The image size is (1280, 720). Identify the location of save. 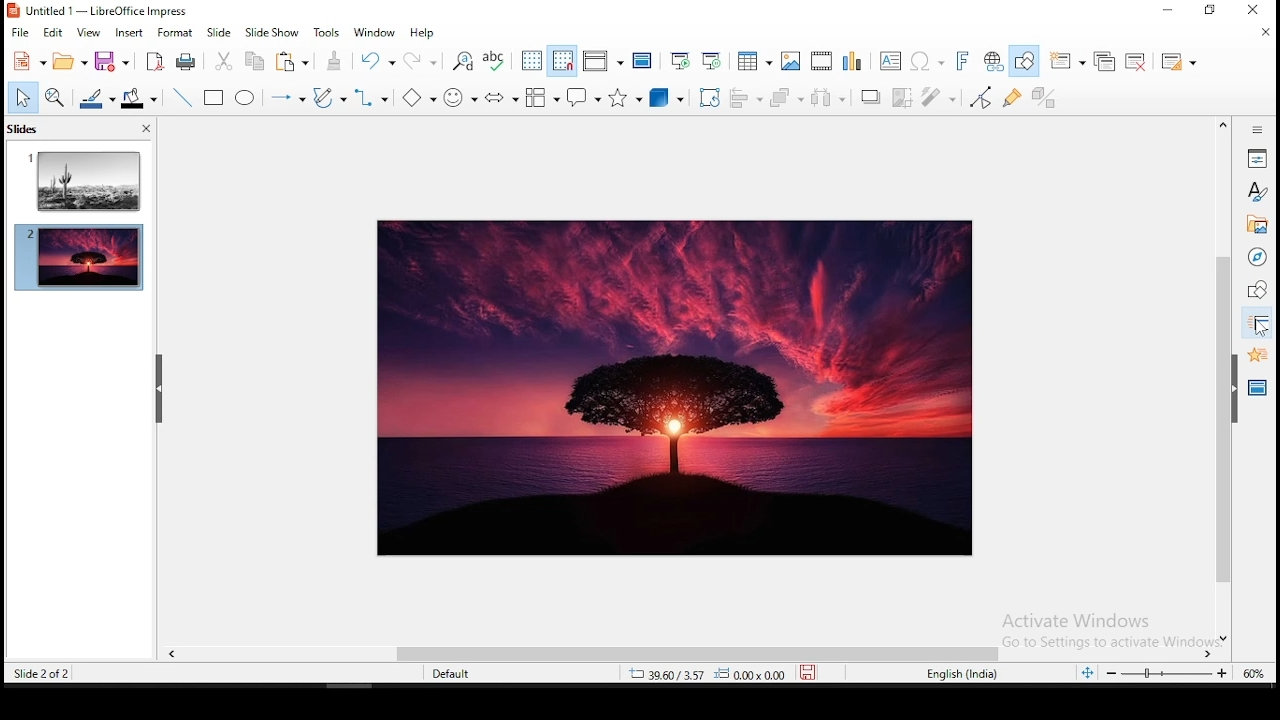
(115, 59).